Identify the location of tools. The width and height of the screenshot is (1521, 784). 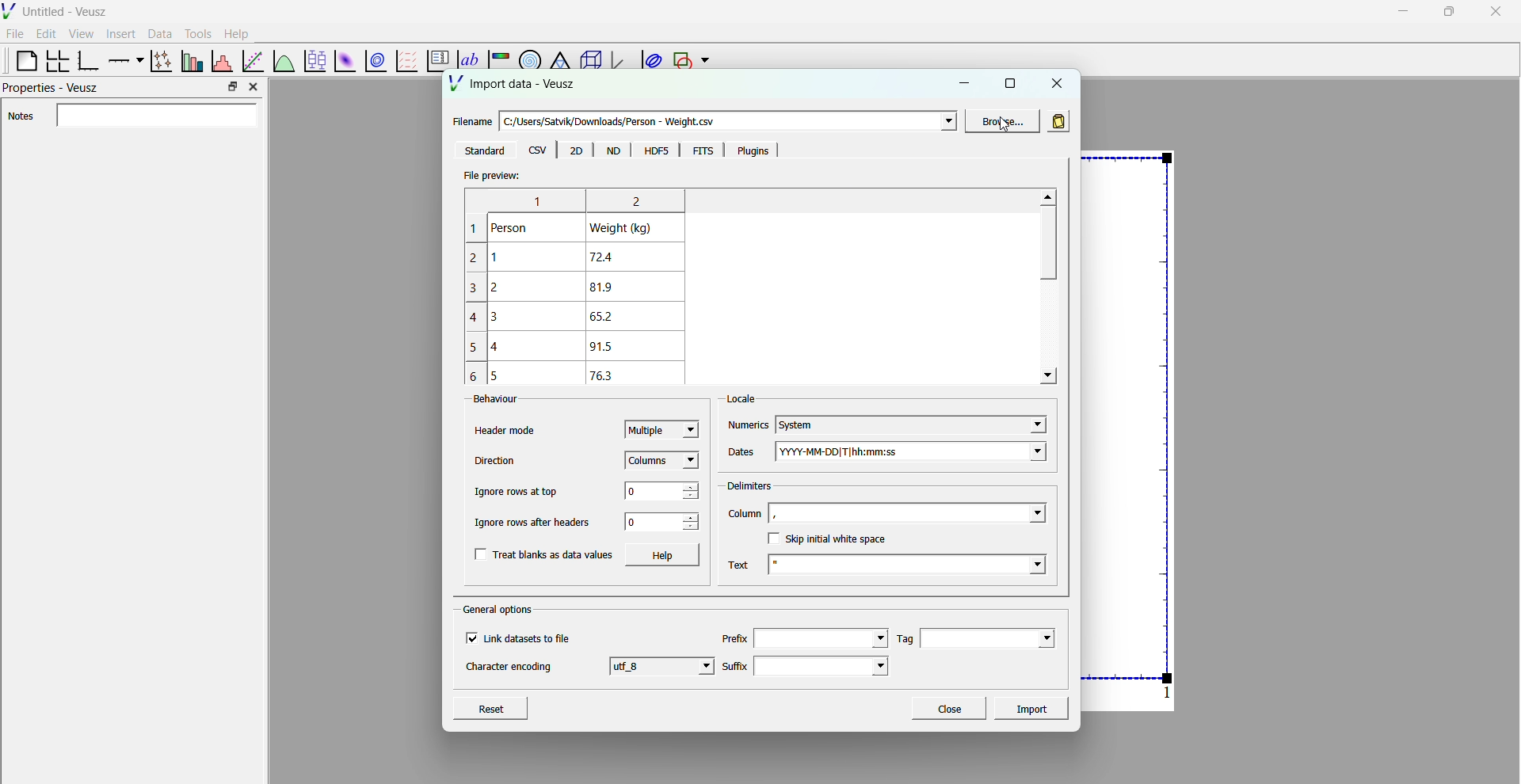
(196, 33).